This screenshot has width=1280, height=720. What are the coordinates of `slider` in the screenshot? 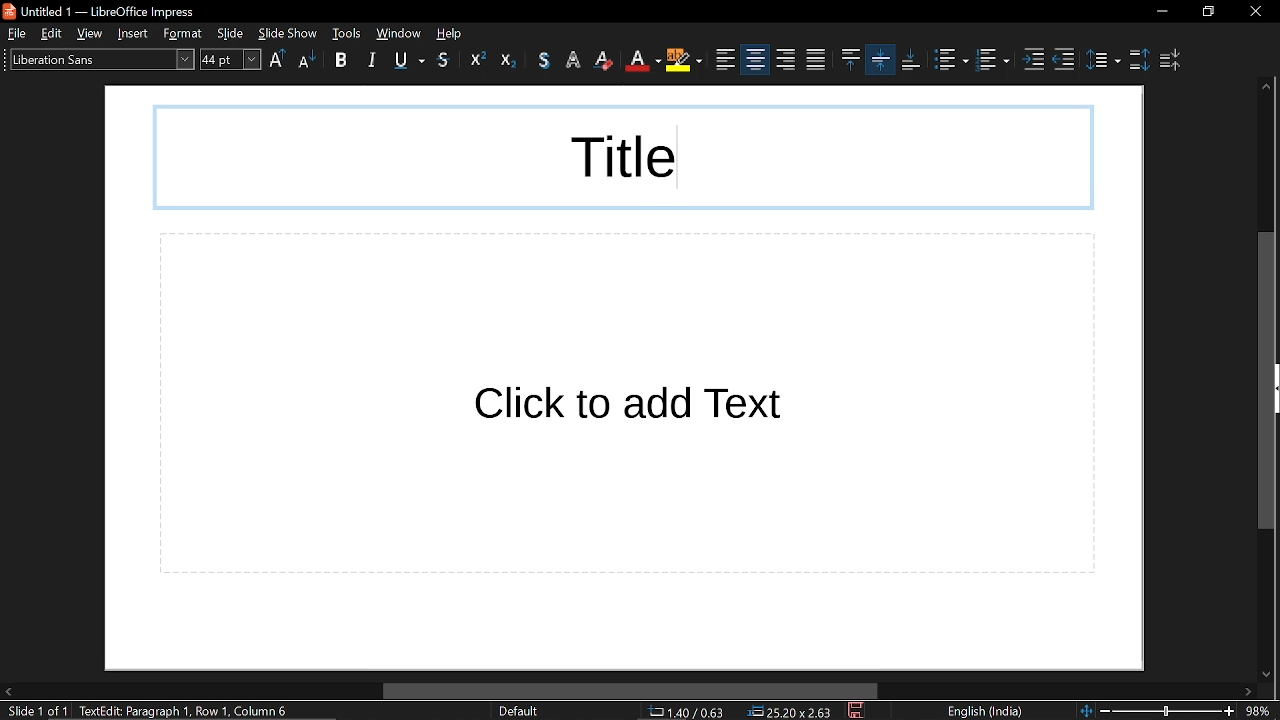 It's located at (1167, 709).